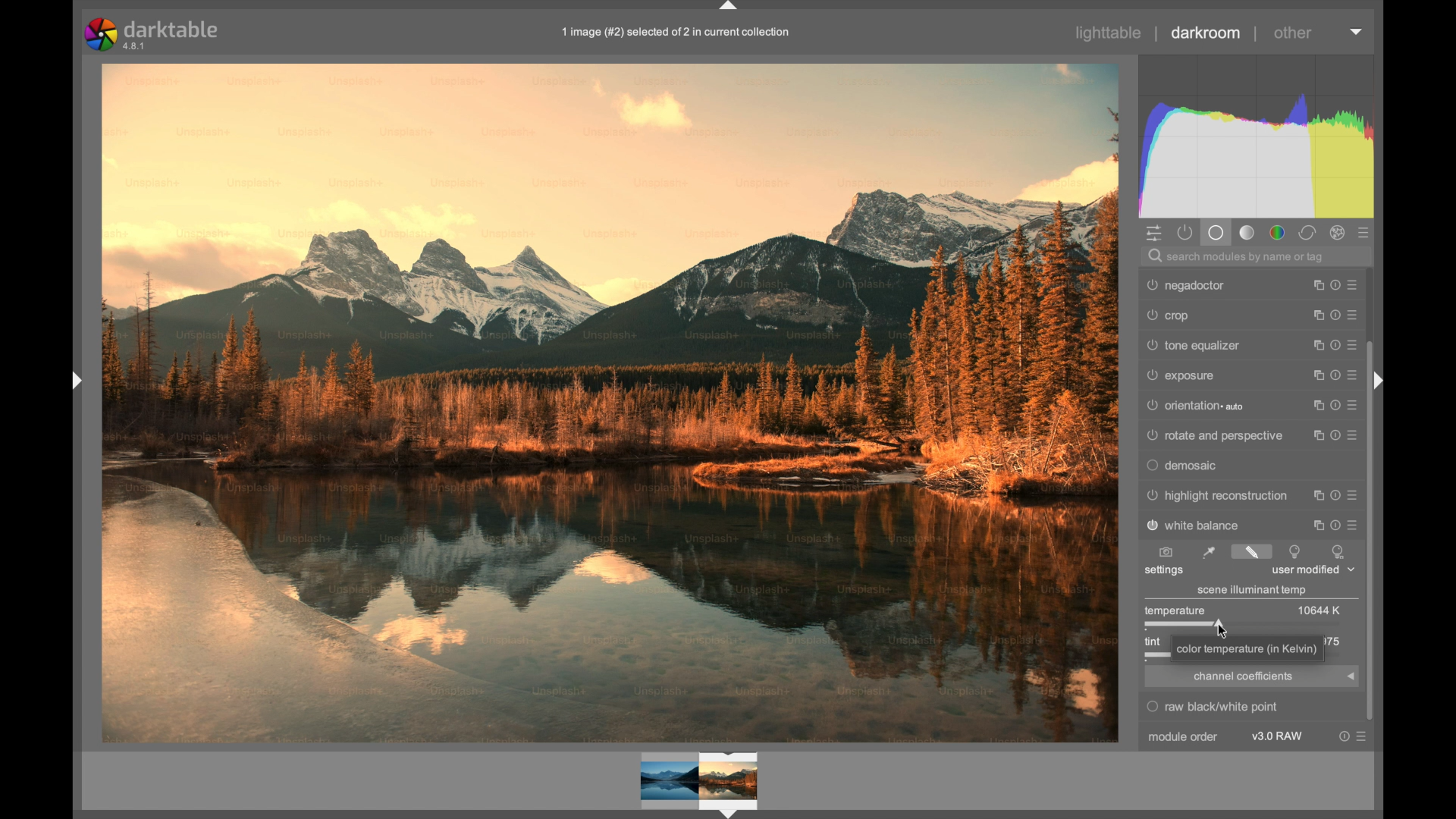 This screenshot has width=1456, height=819. What do you see at coordinates (1207, 33) in the screenshot?
I see `darkroom` at bounding box center [1207, 33].